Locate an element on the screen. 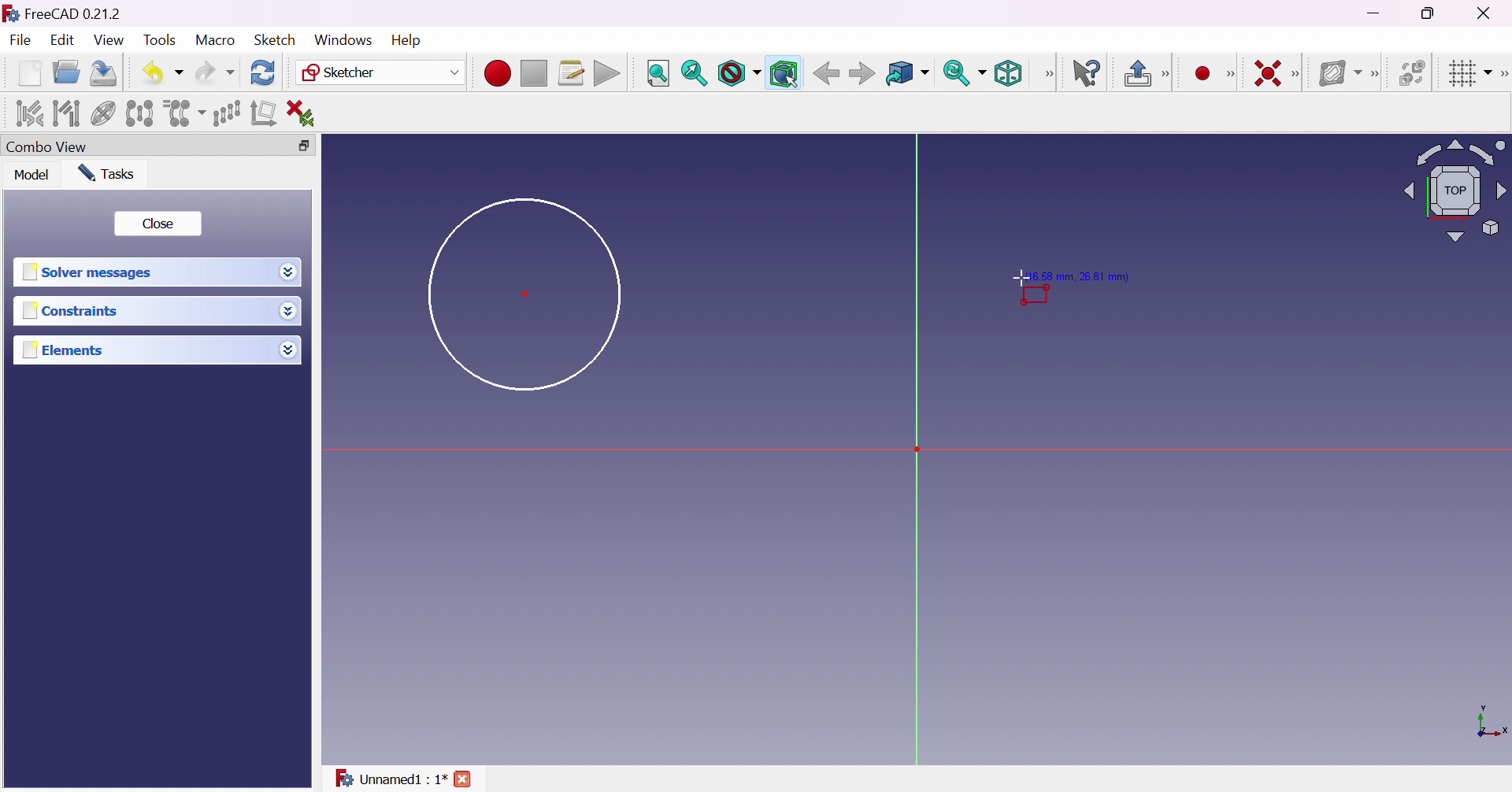 This screenshot has width=1512, height=792. Save is located at coordinates (101, 72).